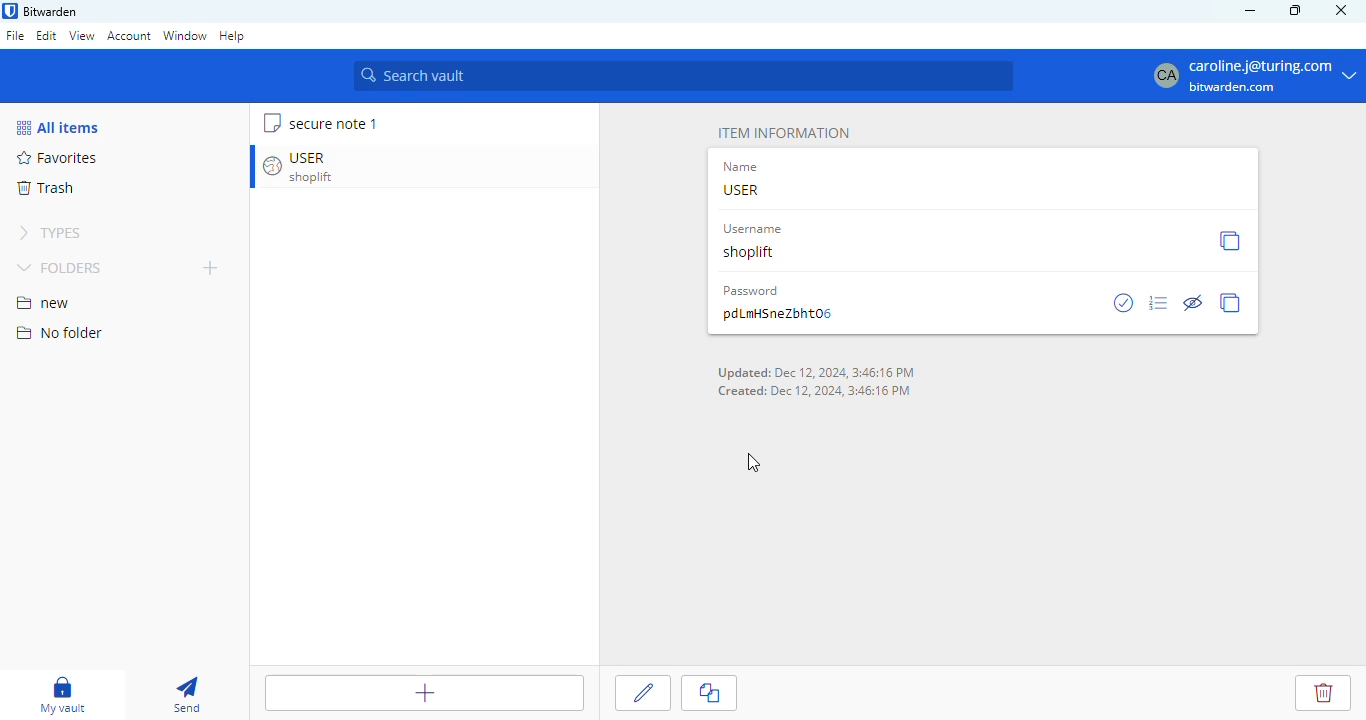 This screenshot has height=720, width=1366. Describe the element at coordinates (643, 694) in the screenshot. I see `edit` at that location.